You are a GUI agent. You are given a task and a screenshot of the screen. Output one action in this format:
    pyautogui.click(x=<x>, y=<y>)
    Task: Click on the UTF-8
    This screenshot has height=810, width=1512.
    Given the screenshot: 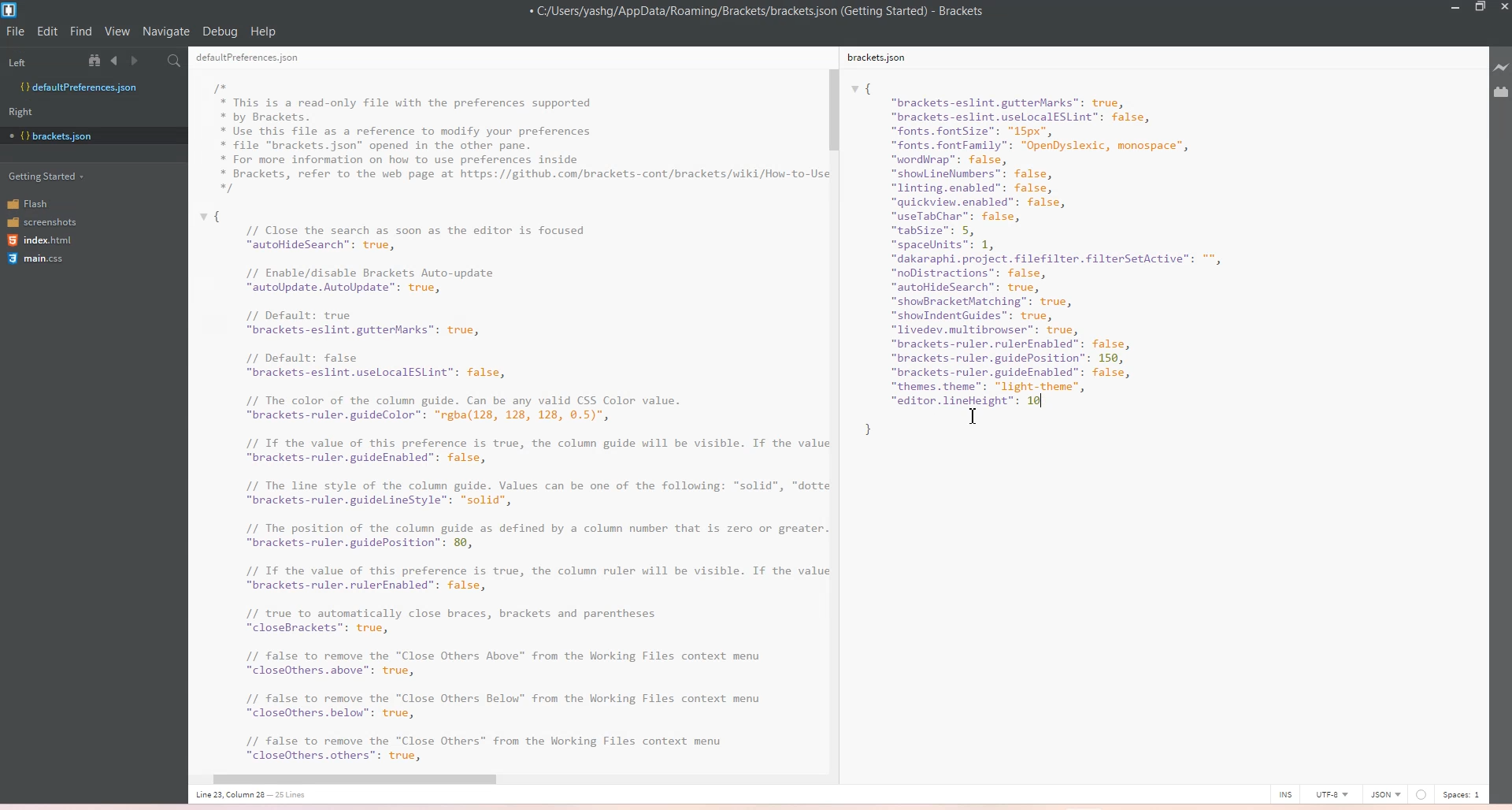 What is the action you would take?
    pyautogui.click(x=1331, y=793)
    